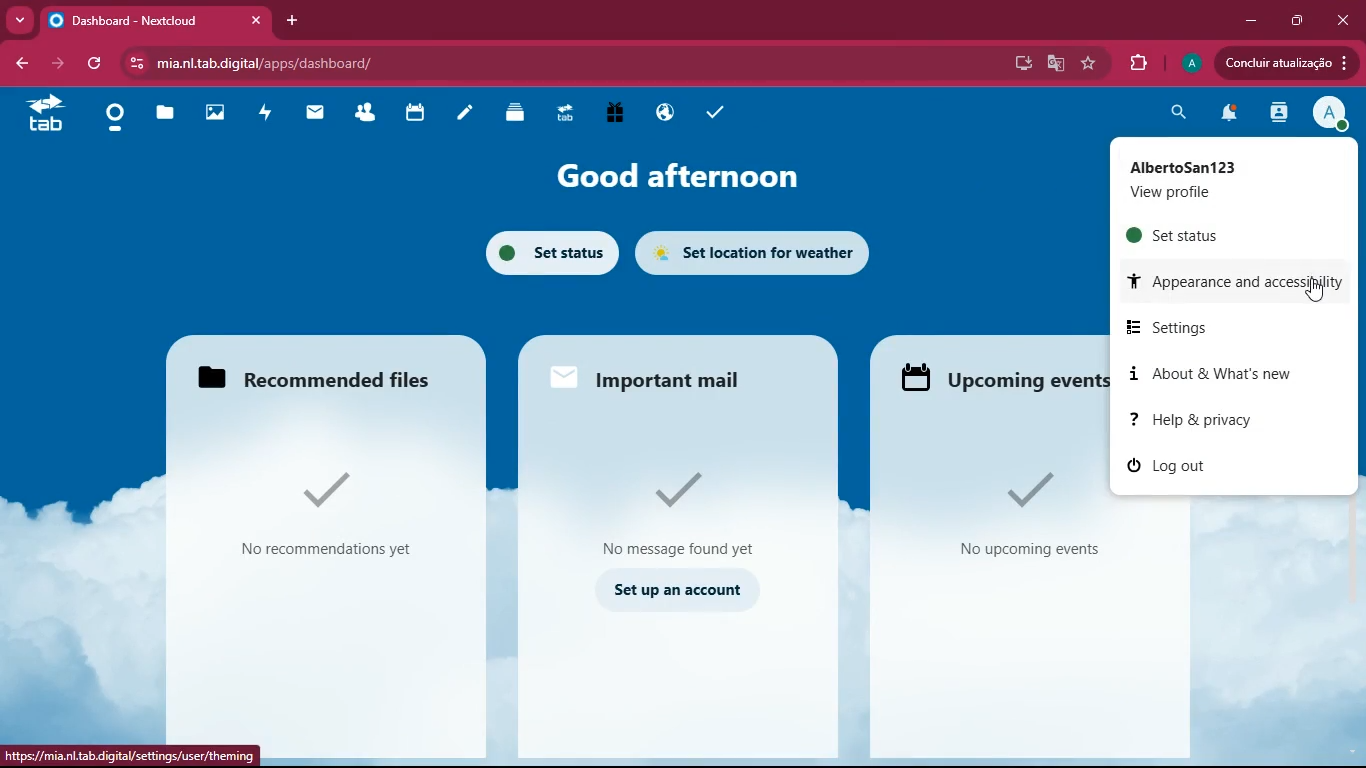  I want to click on bacj, so click(20, 66).